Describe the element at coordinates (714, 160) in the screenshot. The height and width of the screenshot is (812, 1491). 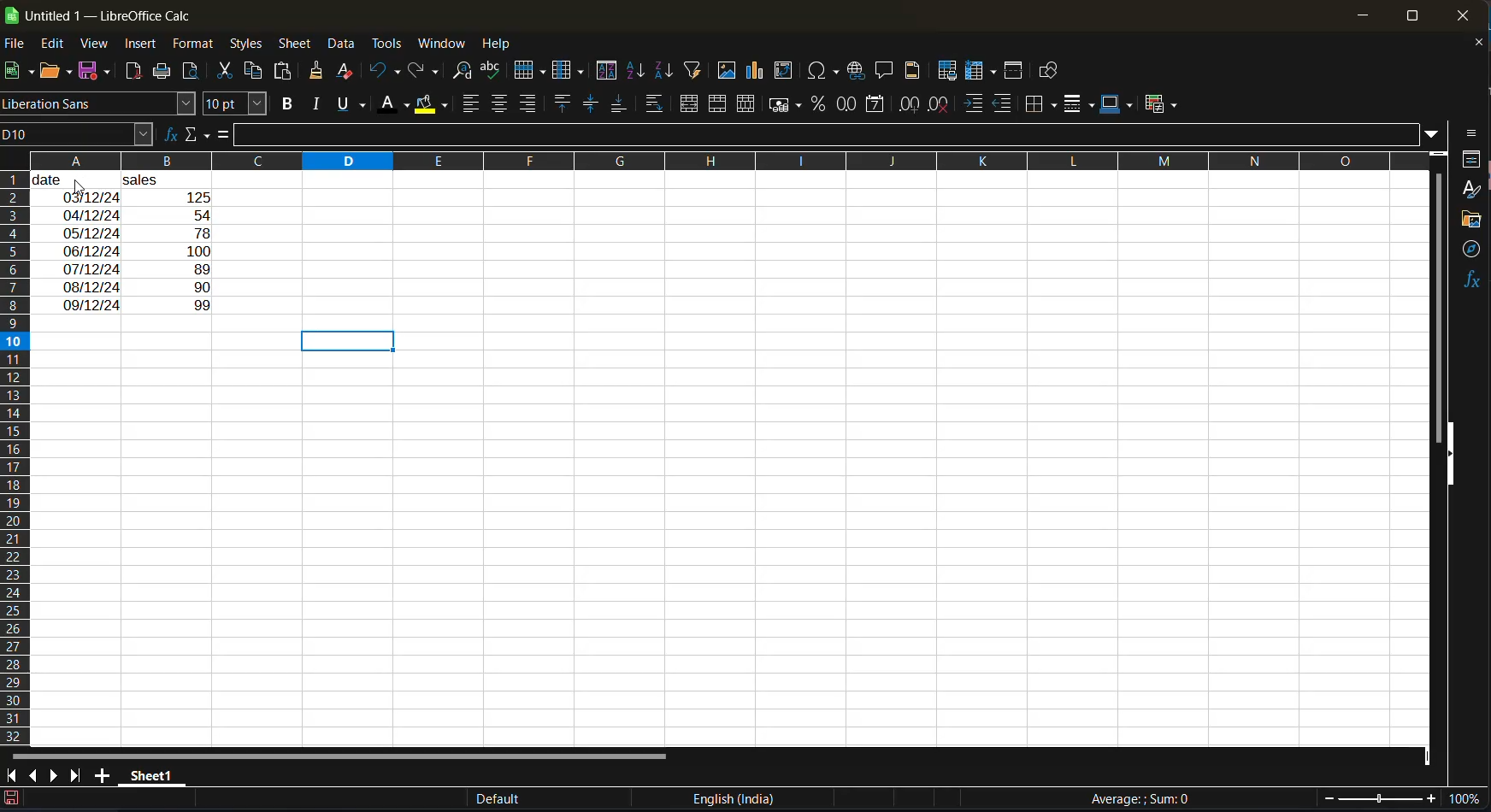
I see `rows` at that location.